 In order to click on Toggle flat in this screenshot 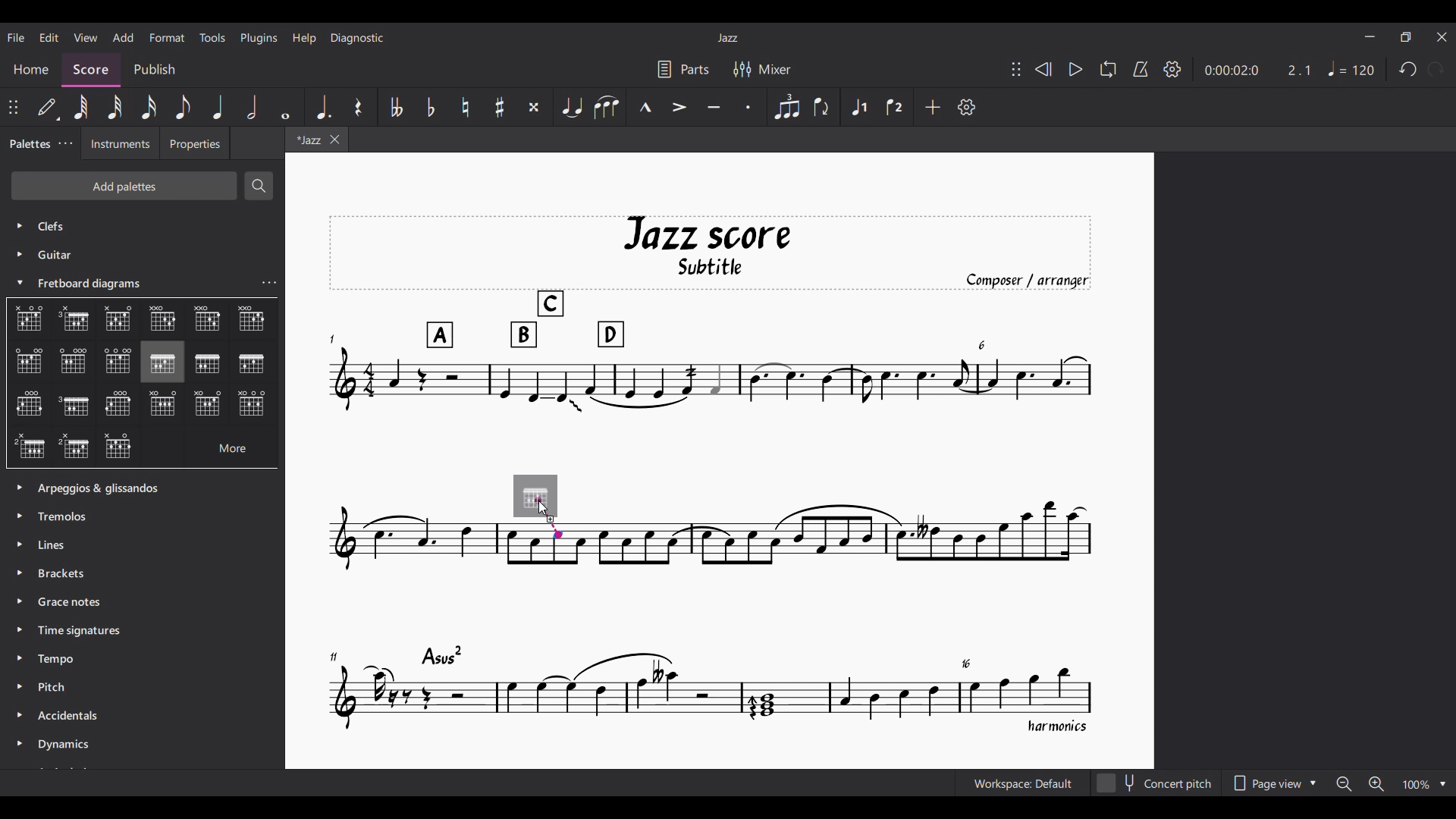, I will do `click(431, 107)`.